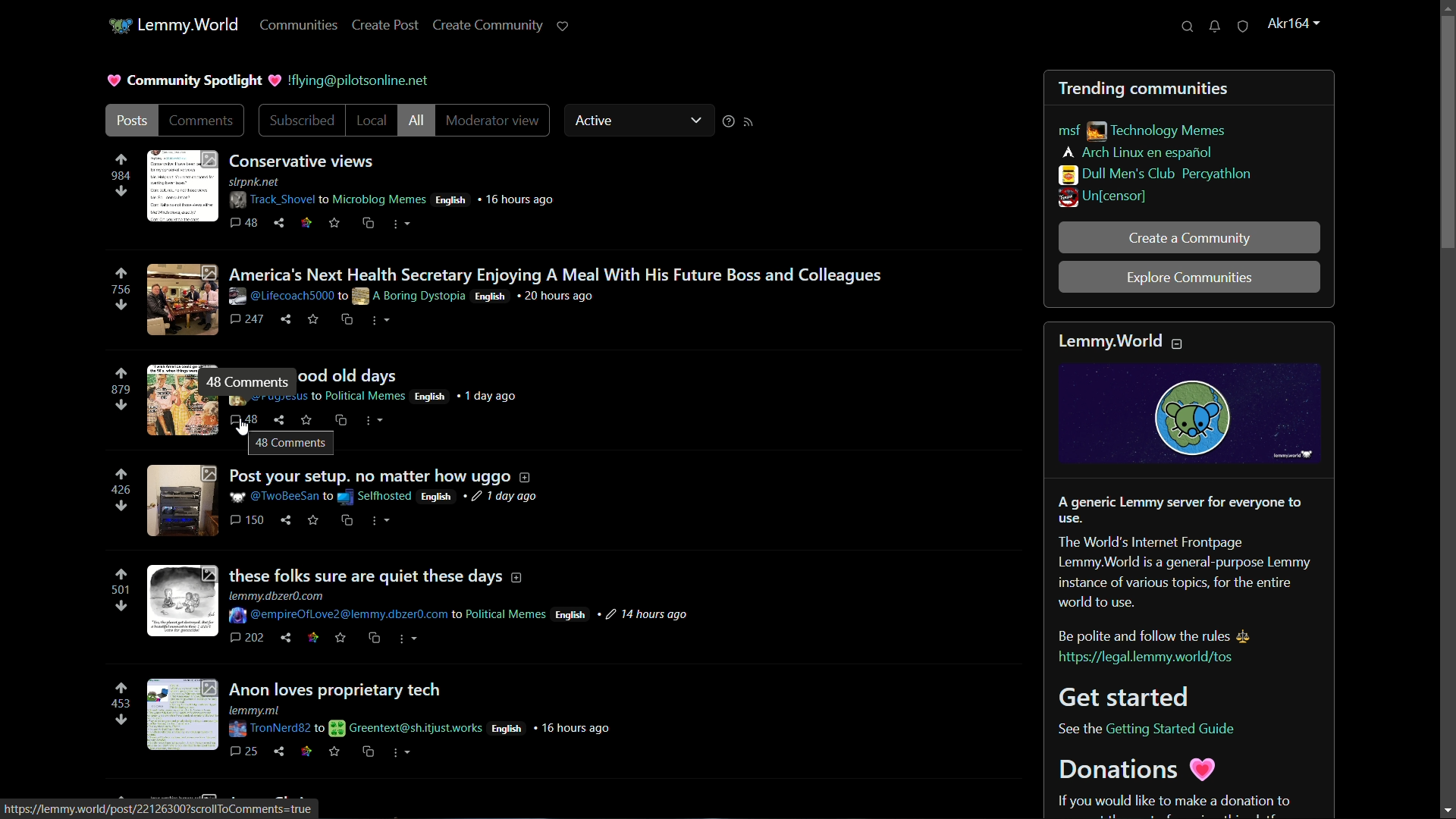 Image resolution: width=1456 pixels, height=819 pixels. I want to click on language, so click(429, 396).